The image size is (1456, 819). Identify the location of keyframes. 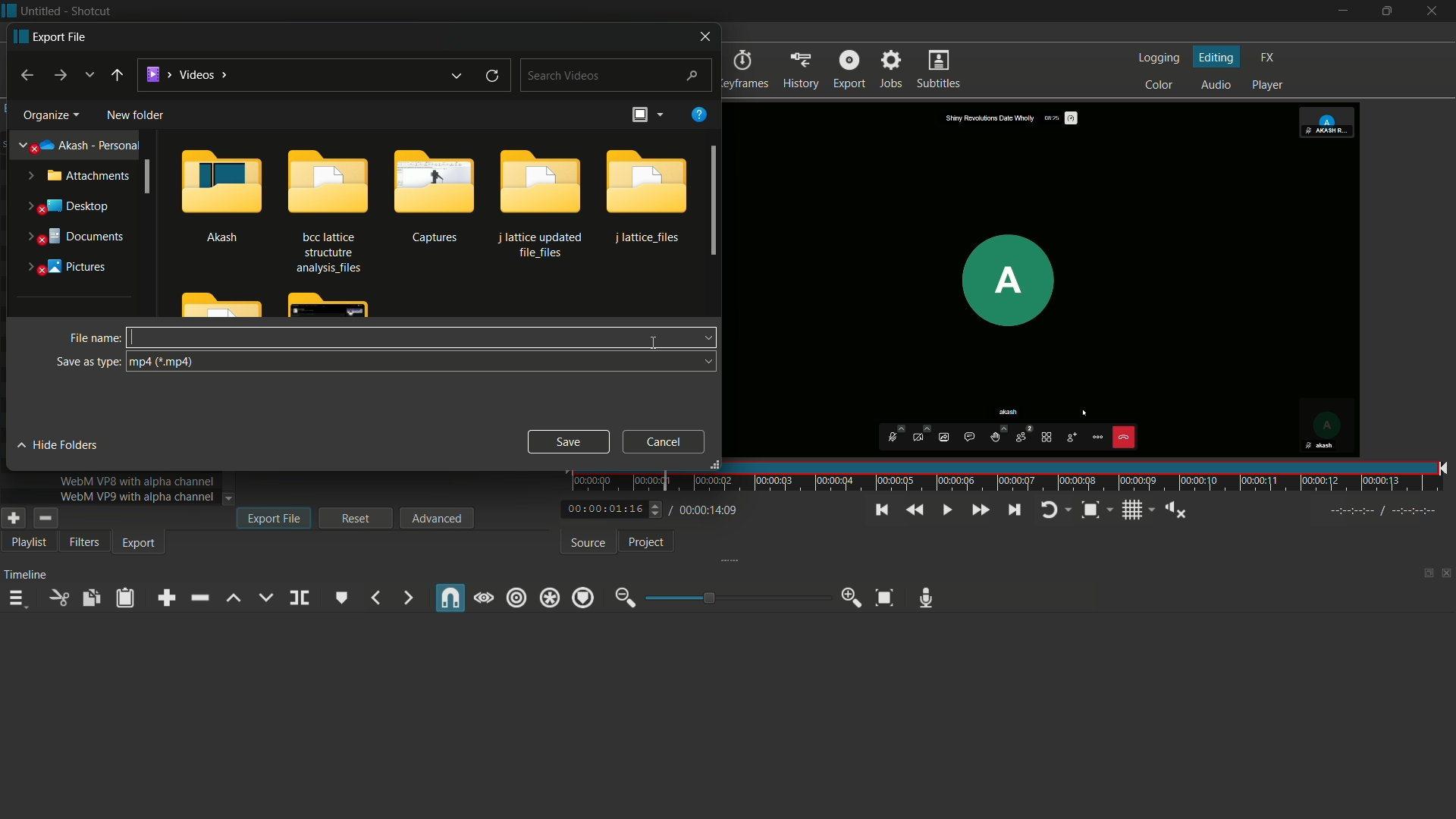
(743, 71).